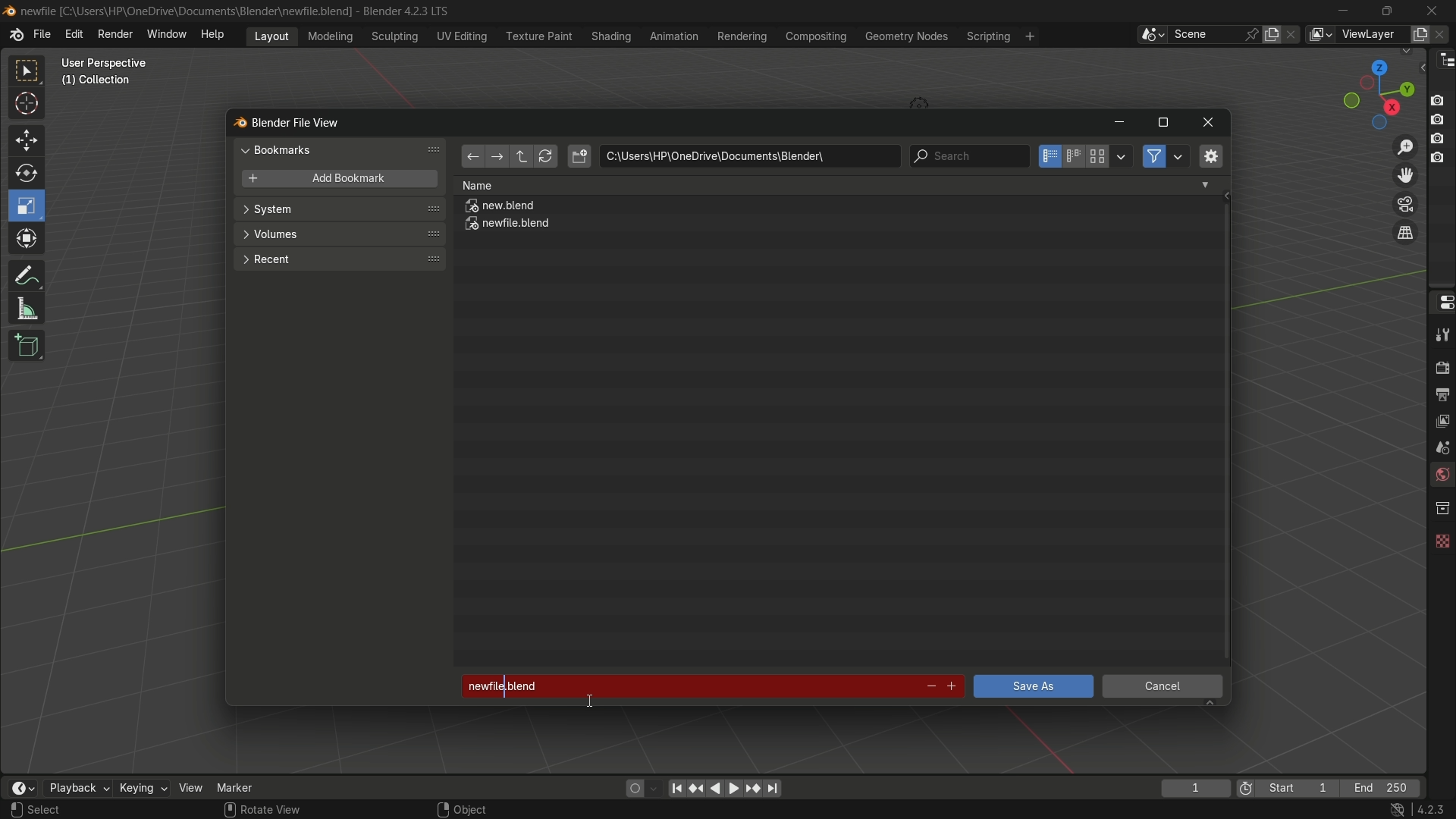 The width and height of the screenshot is (1456, 819). I want to click on view, so click(191, 787).